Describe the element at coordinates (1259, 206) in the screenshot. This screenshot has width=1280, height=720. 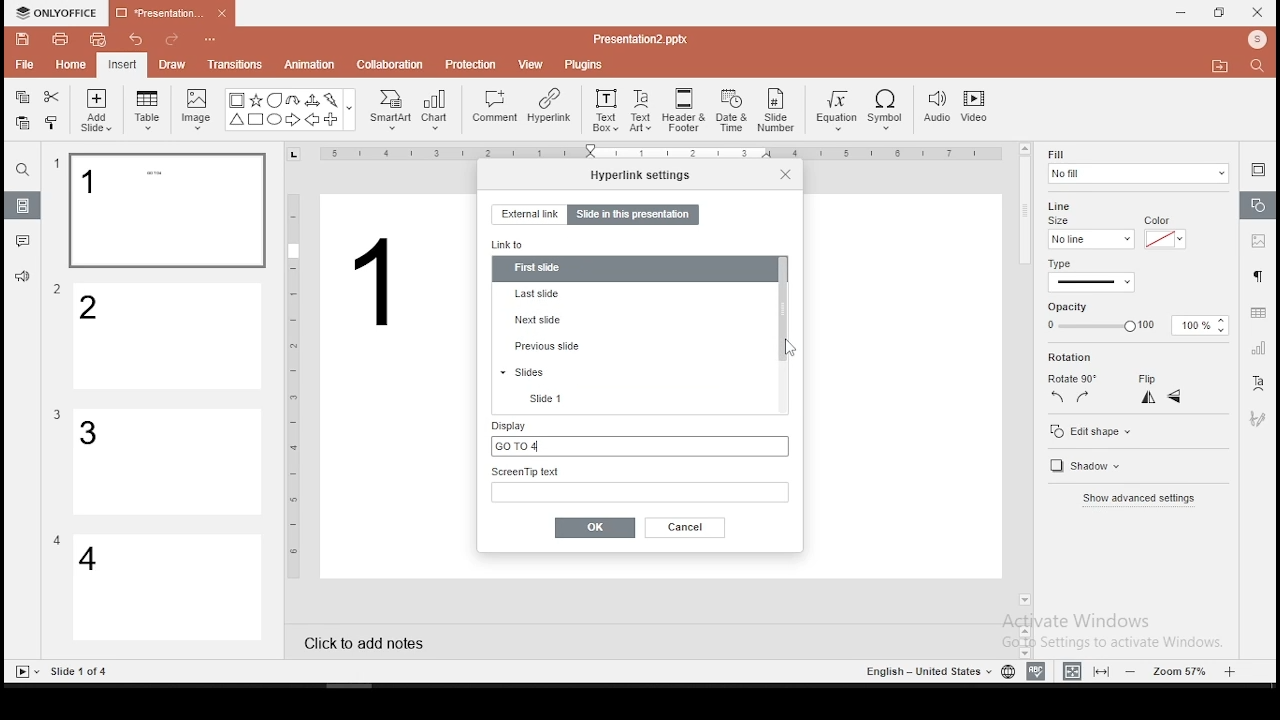
I see `shape settings` at that location.